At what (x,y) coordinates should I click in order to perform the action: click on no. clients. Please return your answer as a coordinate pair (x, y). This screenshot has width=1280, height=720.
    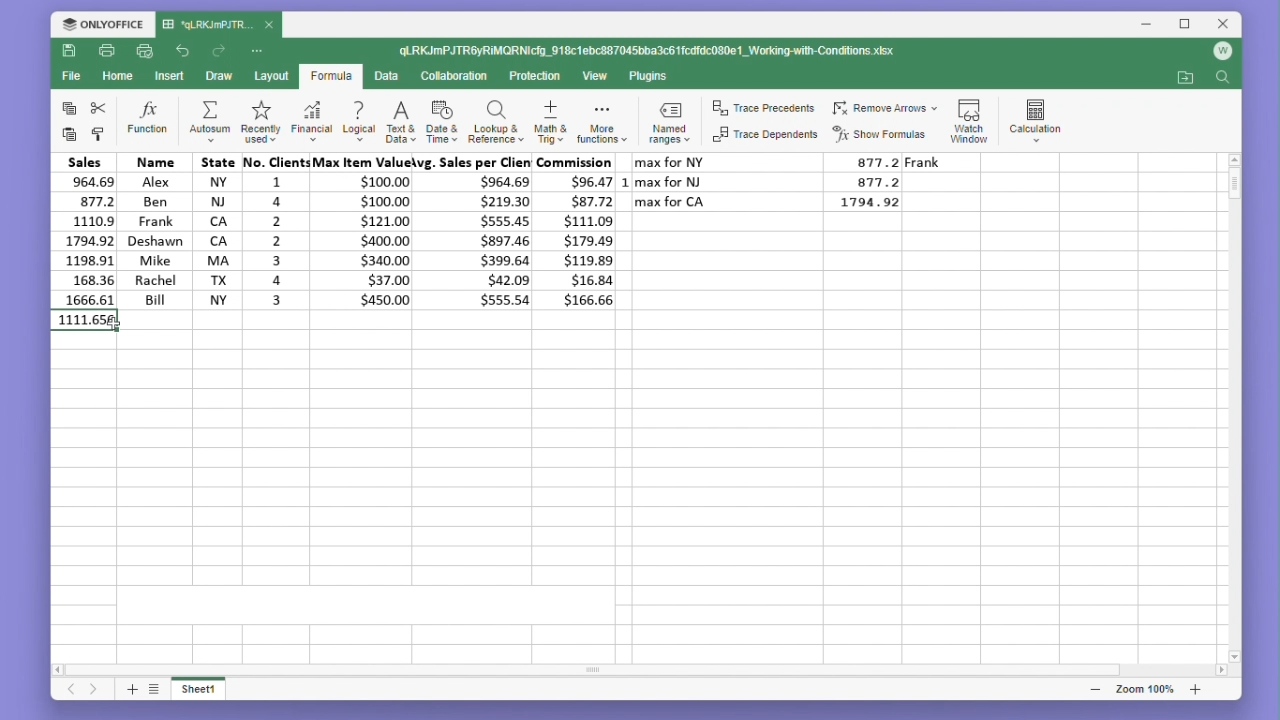
    Looking at the image, I should click on (275, 229).